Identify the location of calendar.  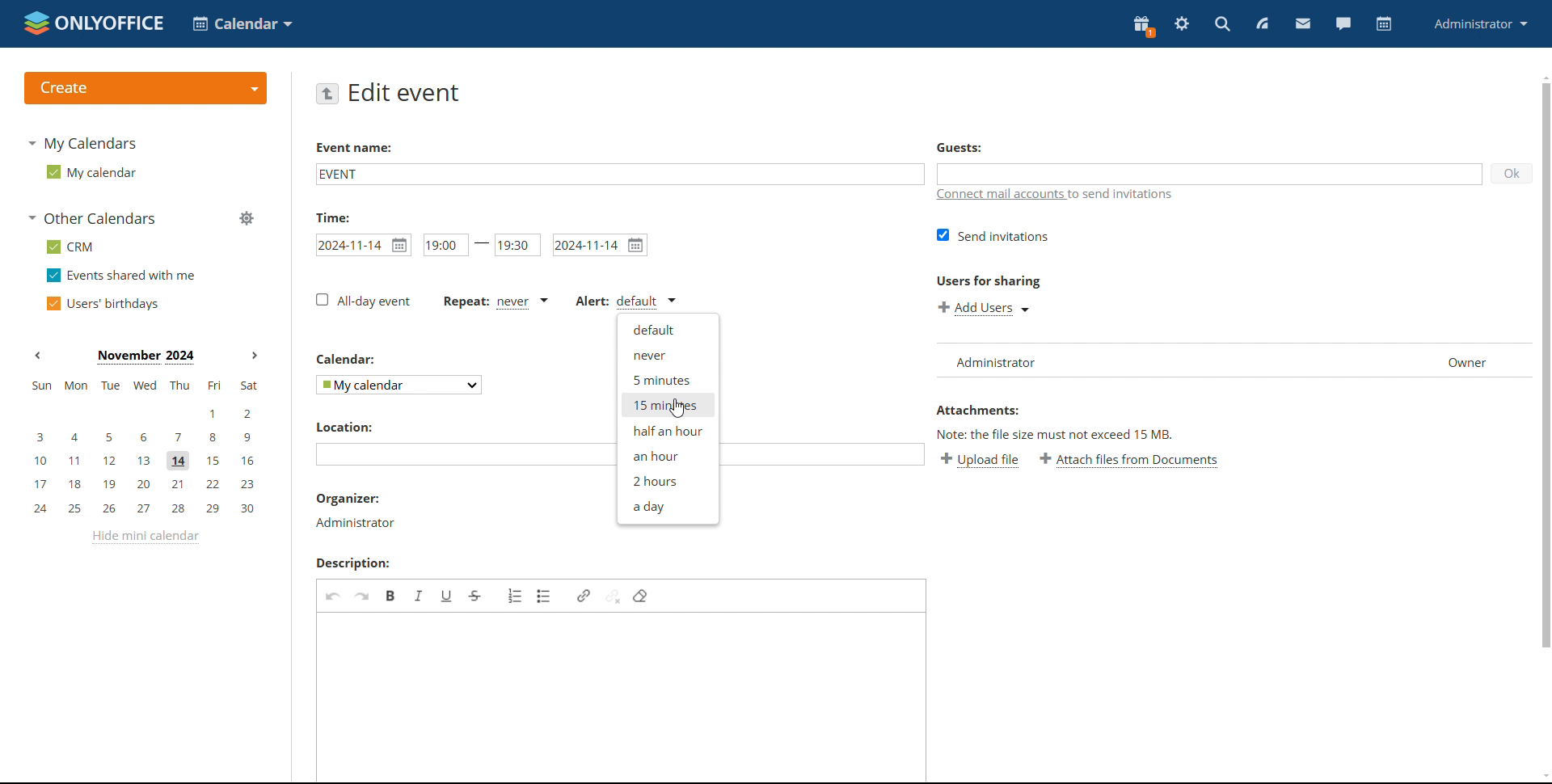
(1382, 25).